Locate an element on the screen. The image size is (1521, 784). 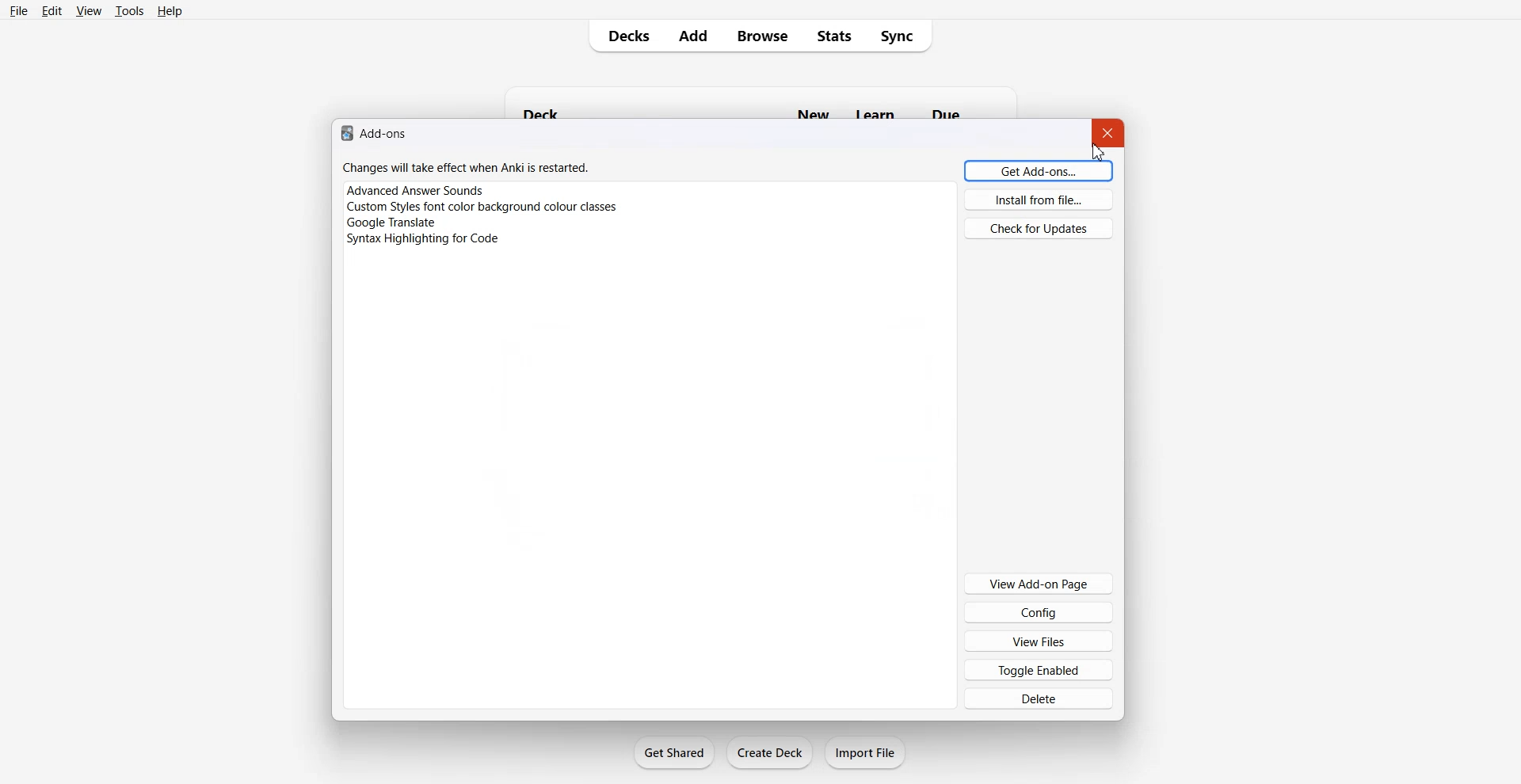
View Files is located at coordinates (1039, 641).